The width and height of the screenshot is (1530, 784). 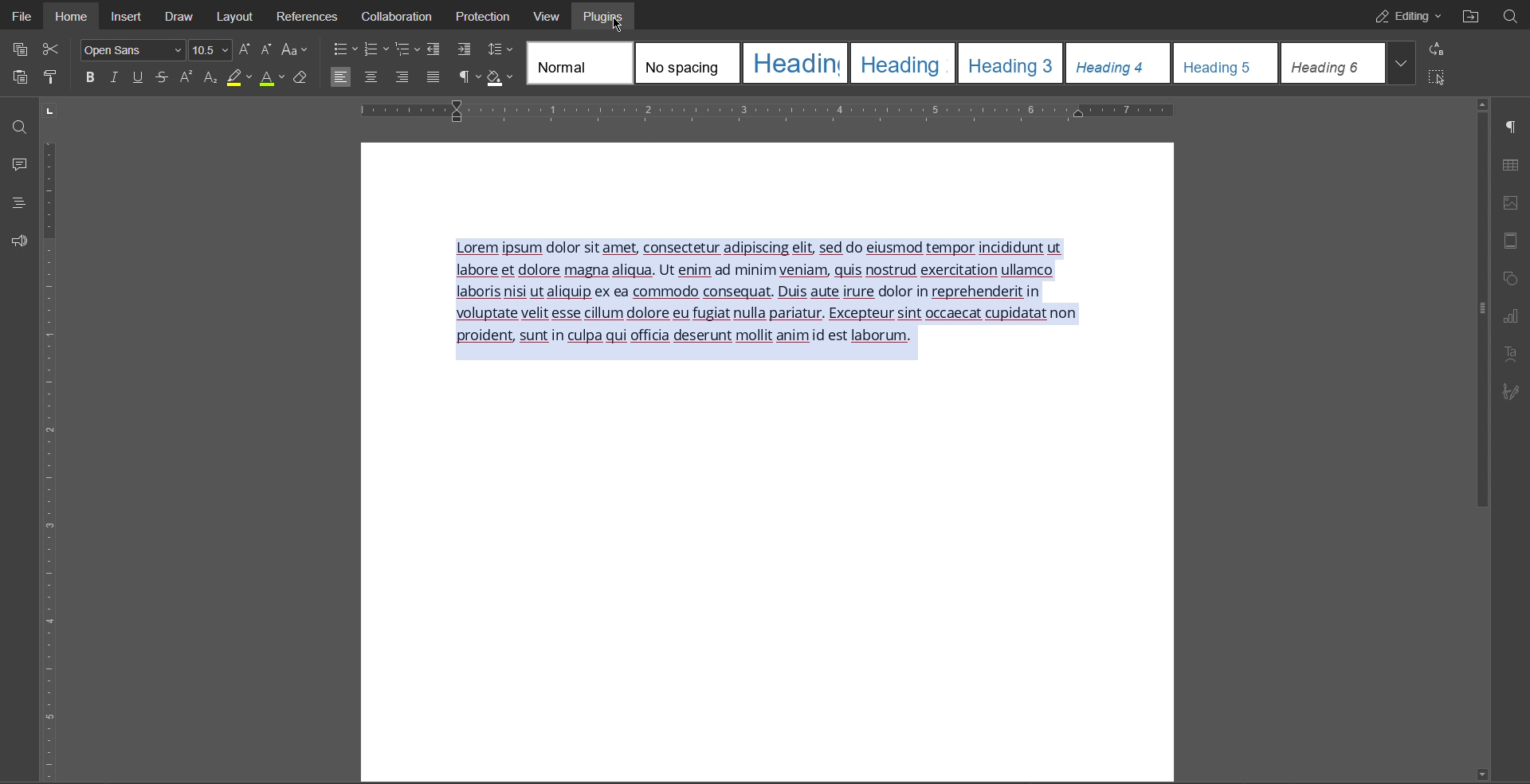 What do you see at coordinates (904, 65) in the screenshot?
I see `Heading` at bounding box center [904, 65].